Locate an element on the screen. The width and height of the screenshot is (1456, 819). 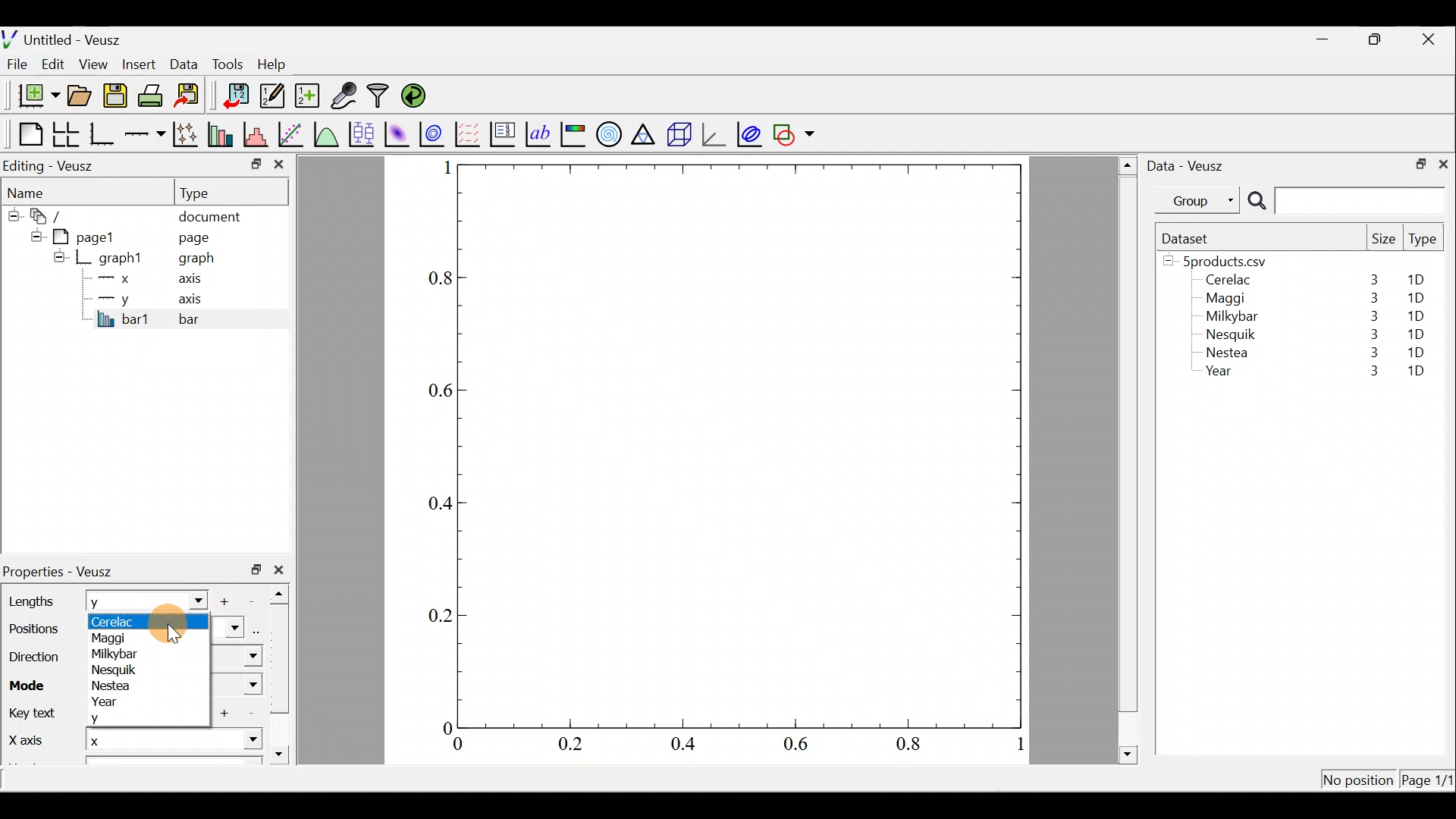
Cerelac is located at coordinates (1225, 281).